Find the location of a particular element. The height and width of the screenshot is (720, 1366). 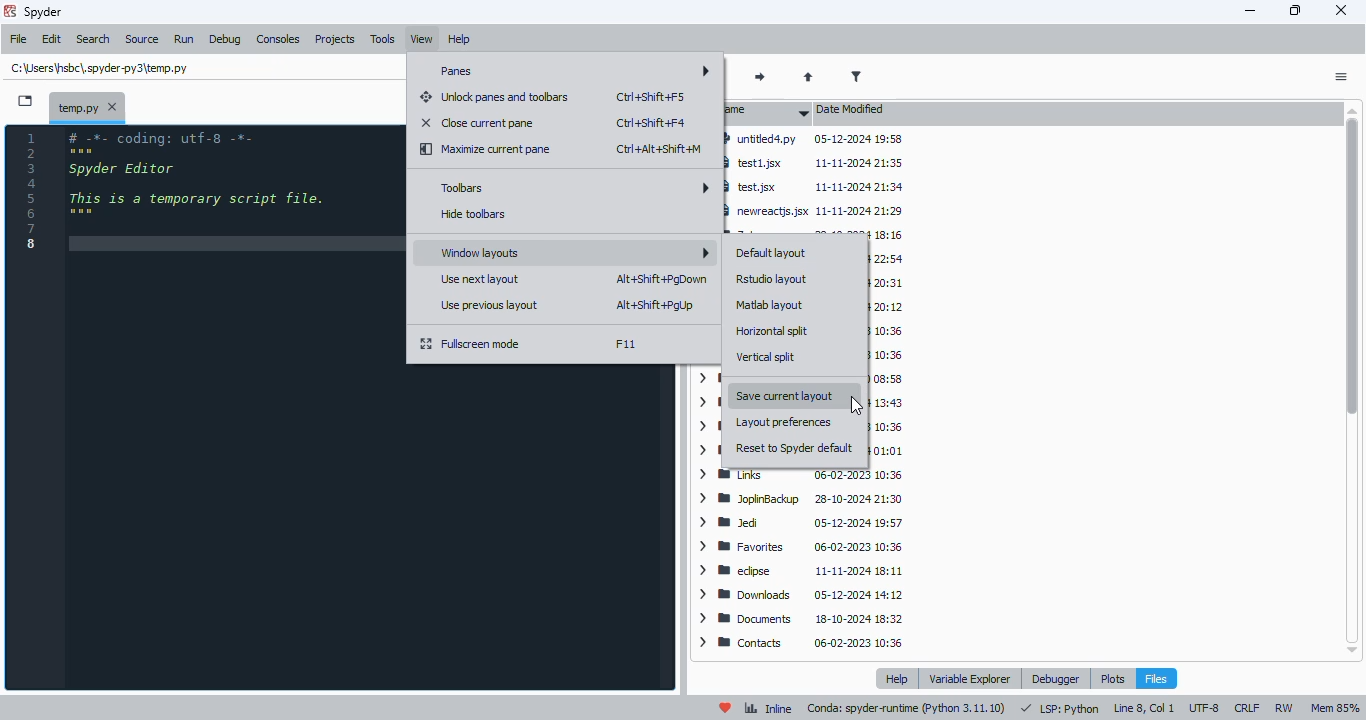

search is located at coordinates (95, 39).